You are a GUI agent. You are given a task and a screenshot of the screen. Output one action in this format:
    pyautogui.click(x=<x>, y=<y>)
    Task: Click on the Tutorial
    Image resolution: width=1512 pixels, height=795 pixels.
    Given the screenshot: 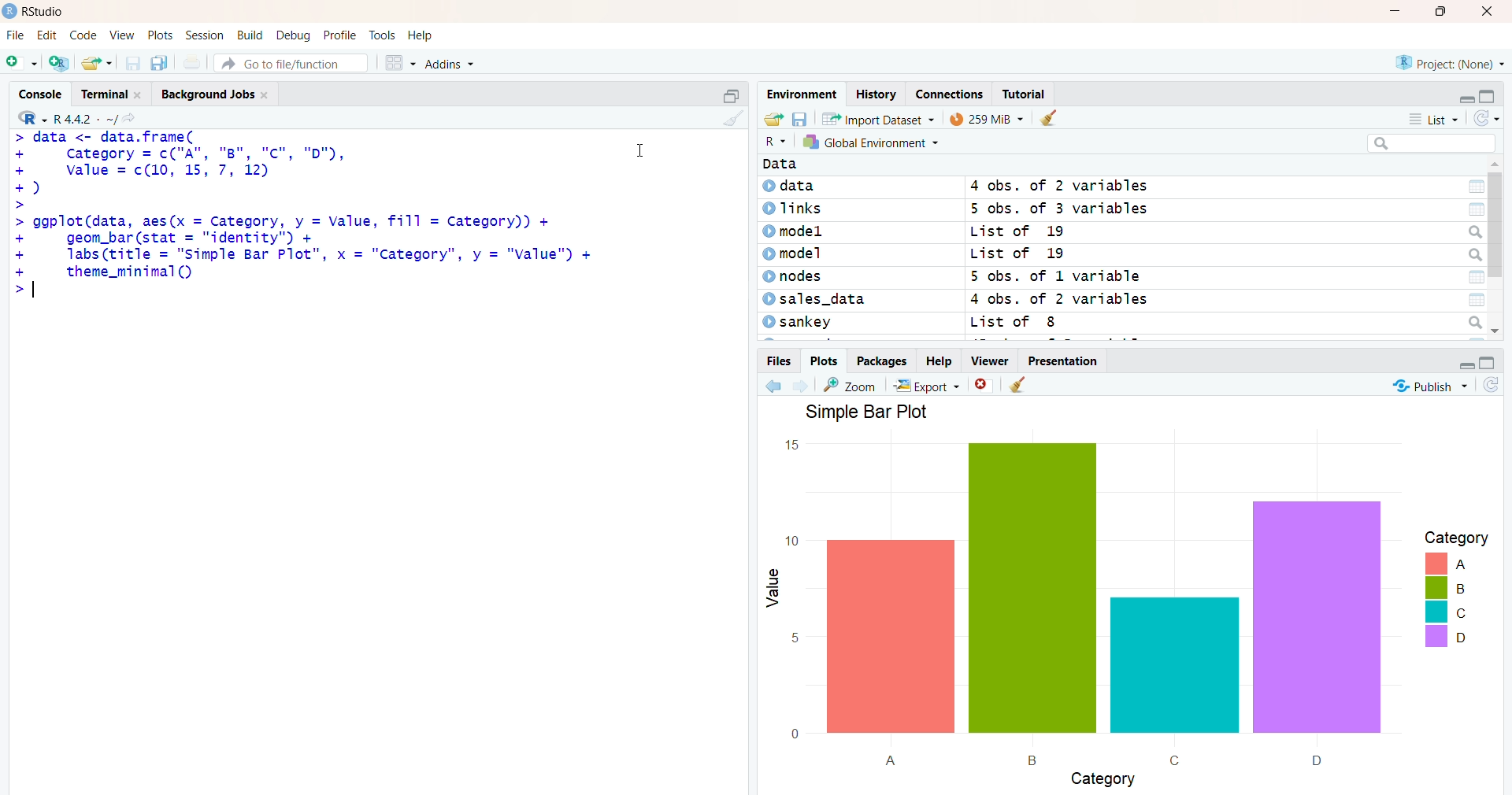 What is the action you would take?
    pyautogui.click(x=1026, y=94)
    